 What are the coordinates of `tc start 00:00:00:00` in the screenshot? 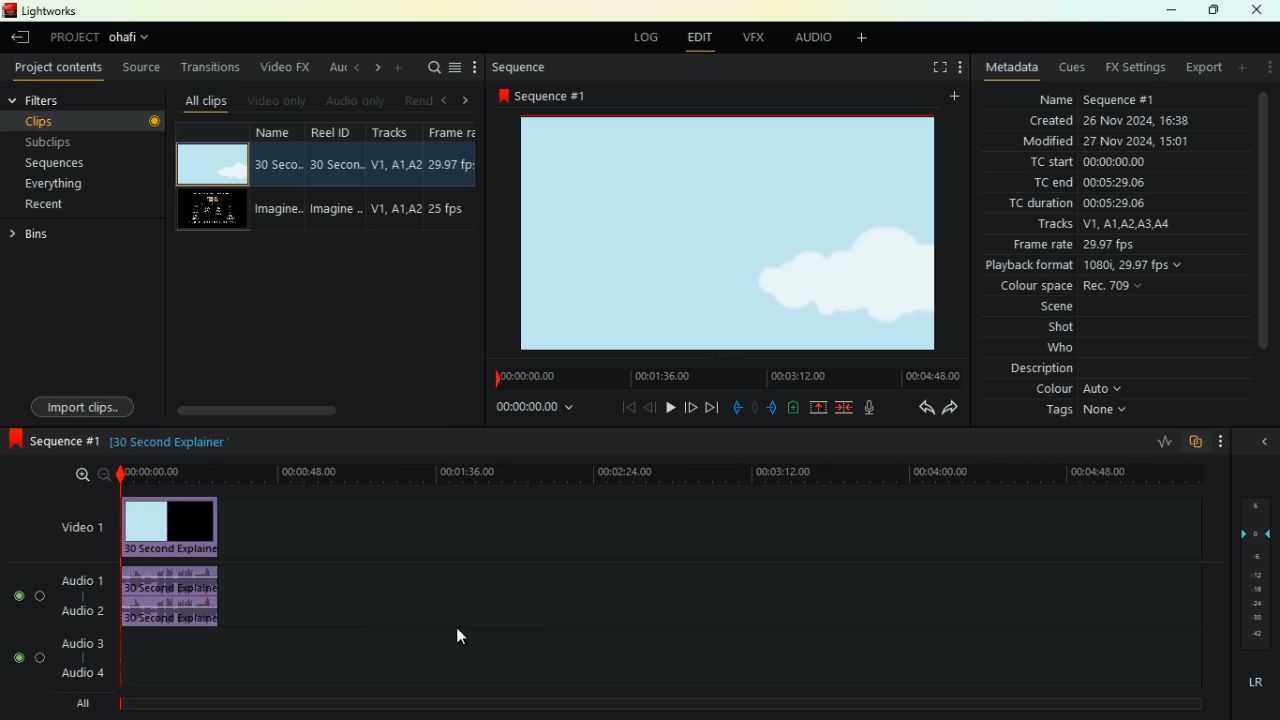 It's located at (1110, 163).